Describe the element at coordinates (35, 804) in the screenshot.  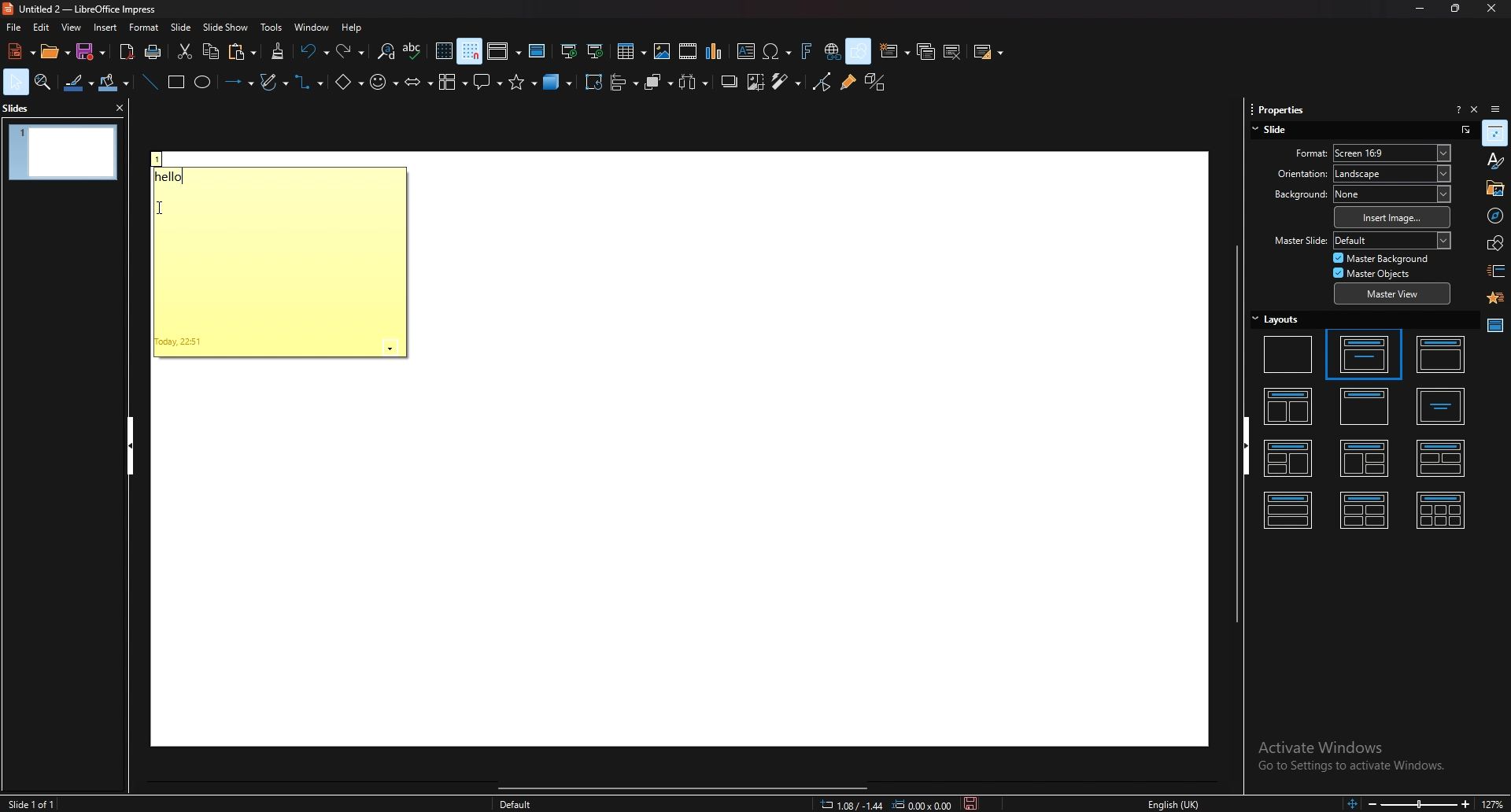
I see `slide 1 of 1` at that location.